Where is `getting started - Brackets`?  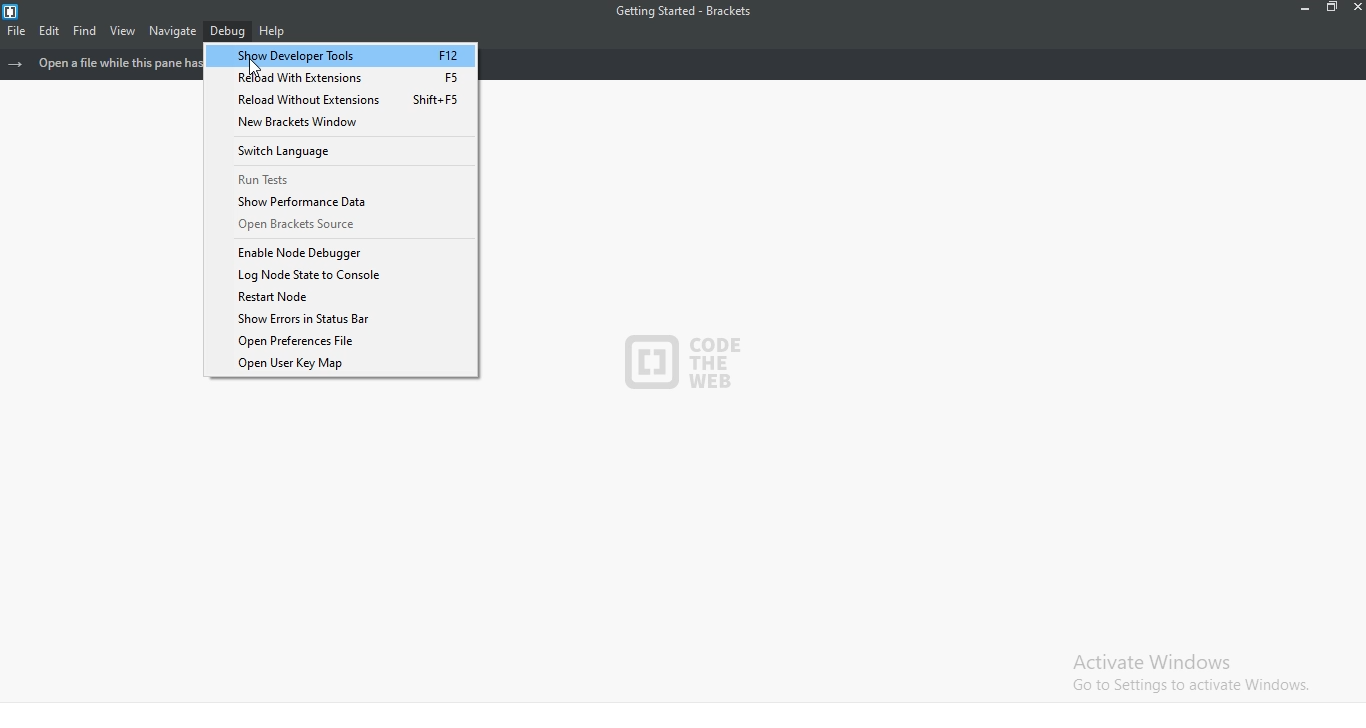 getting started - Brackets is located at coordinates (693, 13).